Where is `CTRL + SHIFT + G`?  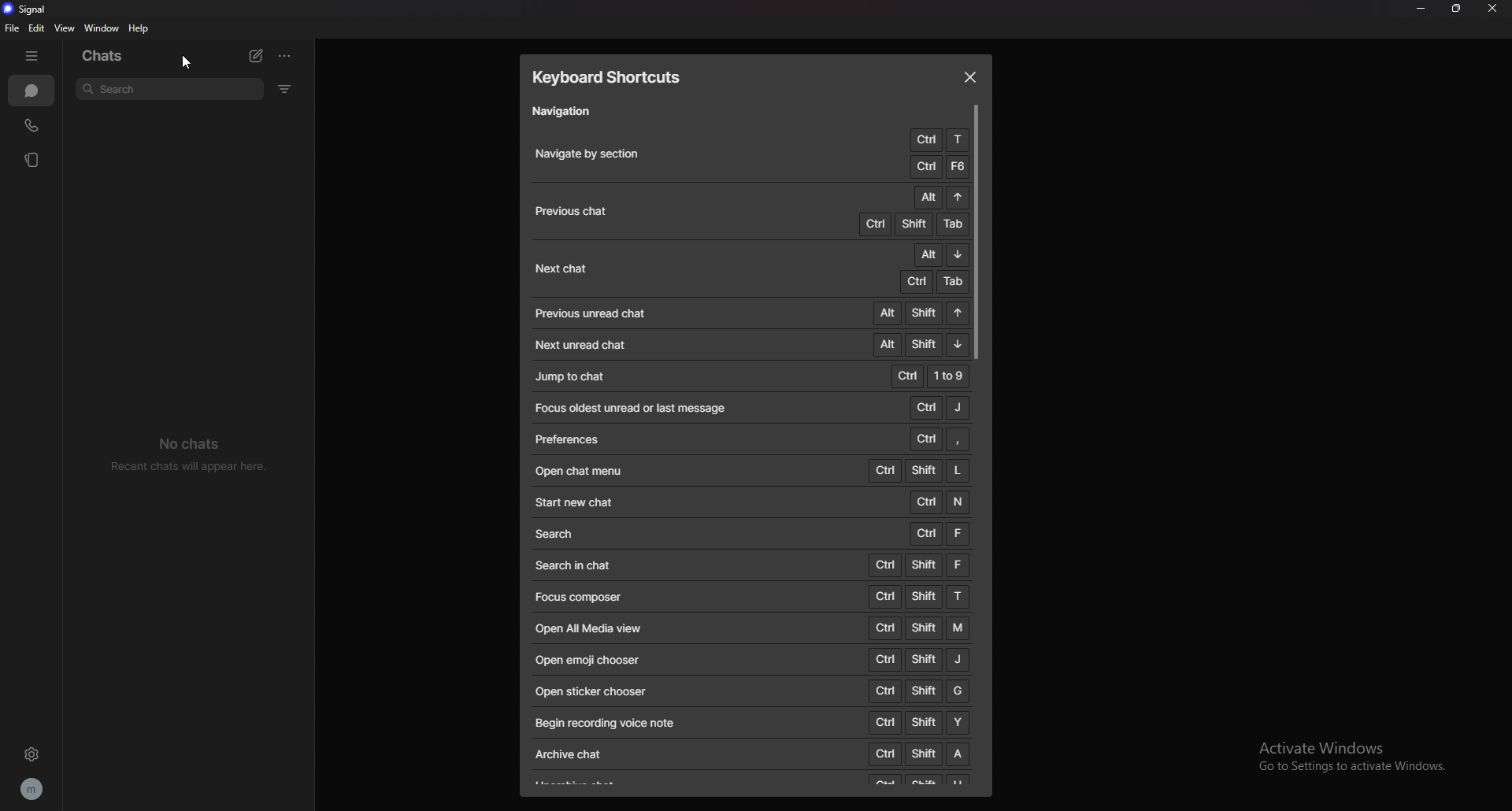 CTRL + SHIFT + G is located at coordinates (918, 691).